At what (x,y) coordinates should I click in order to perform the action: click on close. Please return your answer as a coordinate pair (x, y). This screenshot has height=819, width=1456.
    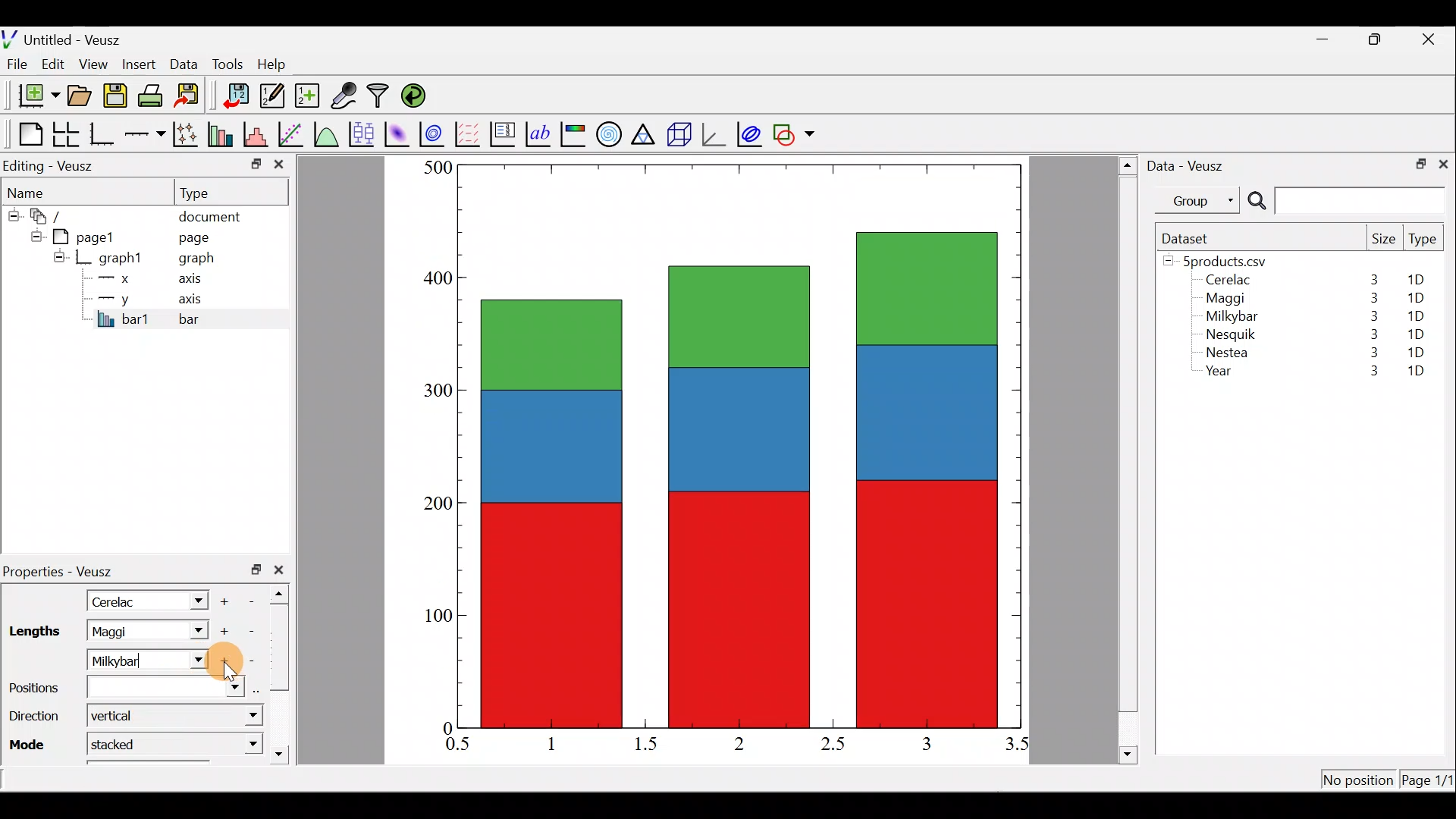
    Looking at the image, I should click on (1430, 39).